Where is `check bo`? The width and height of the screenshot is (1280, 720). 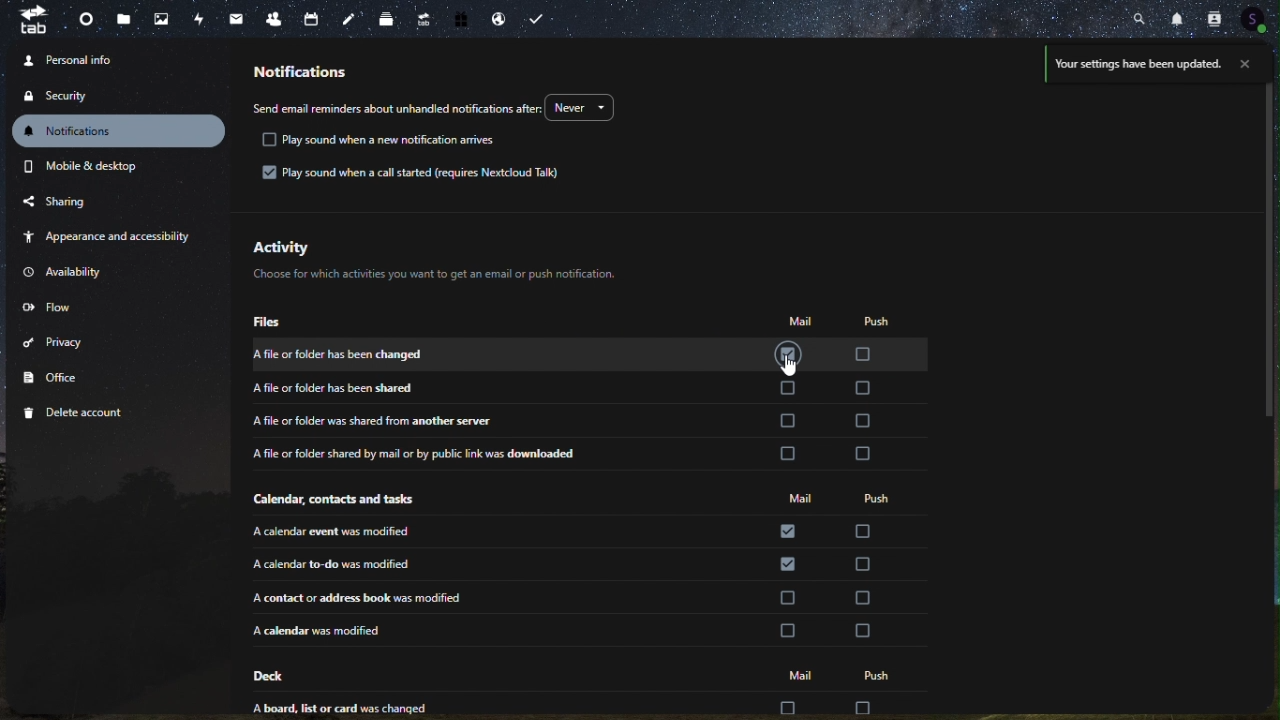 check bo is located at coordinates (792, 530).